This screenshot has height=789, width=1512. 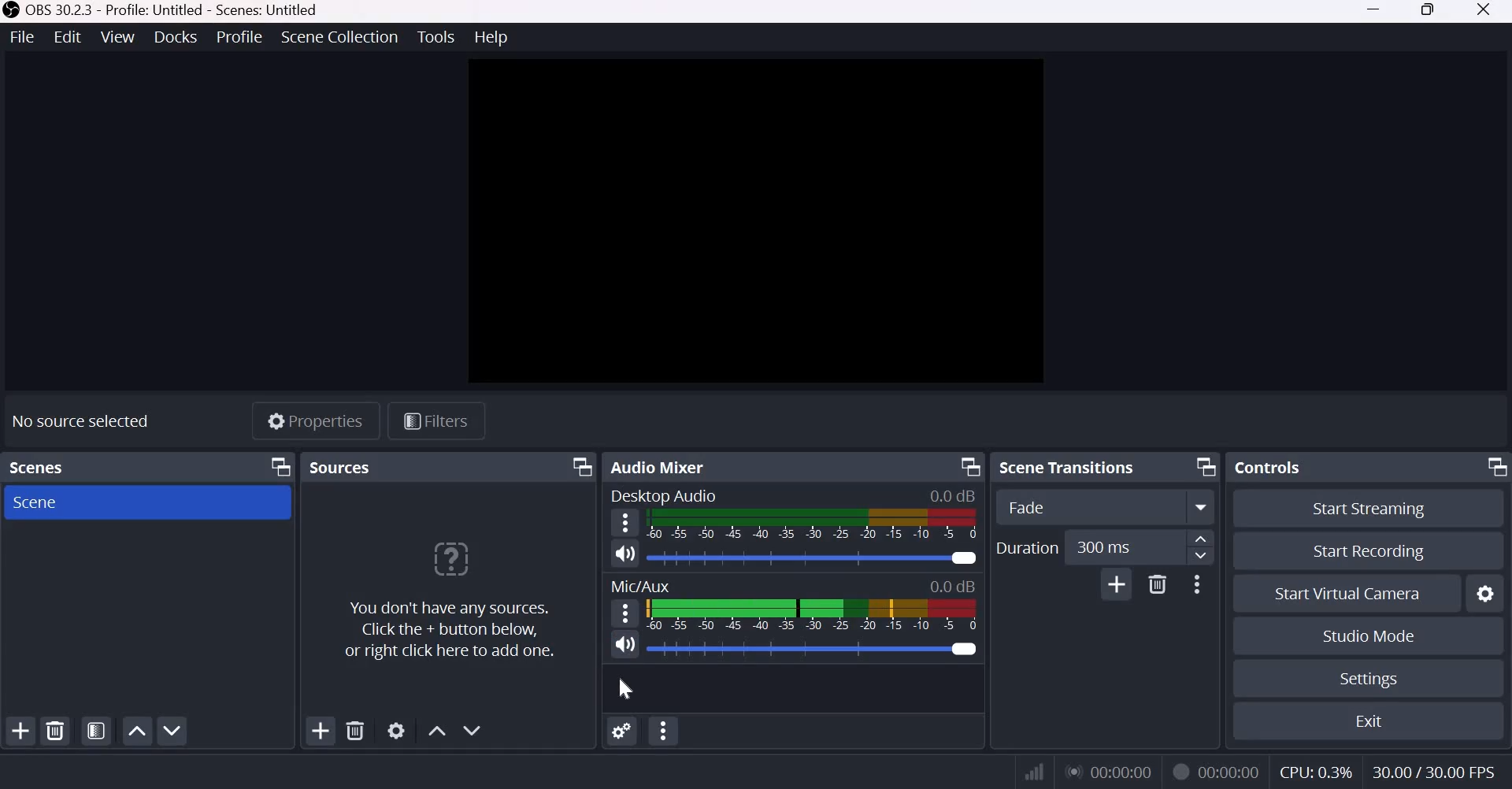 What do you see at coordinates (72, 502) in the screenshot?
I see `Scene` at bounding box center [72, 502].